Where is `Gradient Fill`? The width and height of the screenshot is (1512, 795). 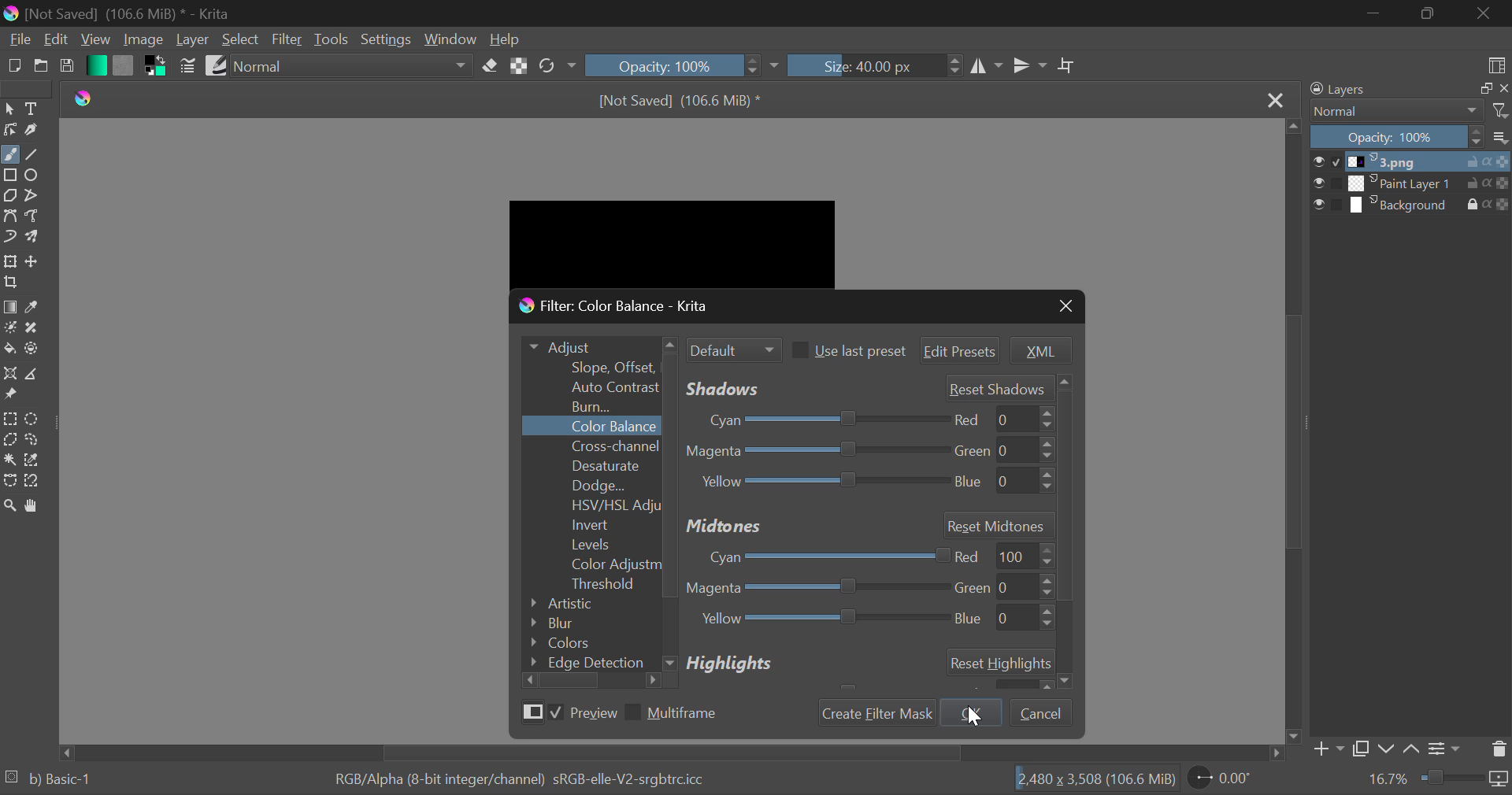
Gradient Fill is located at coordinates (10, 307).